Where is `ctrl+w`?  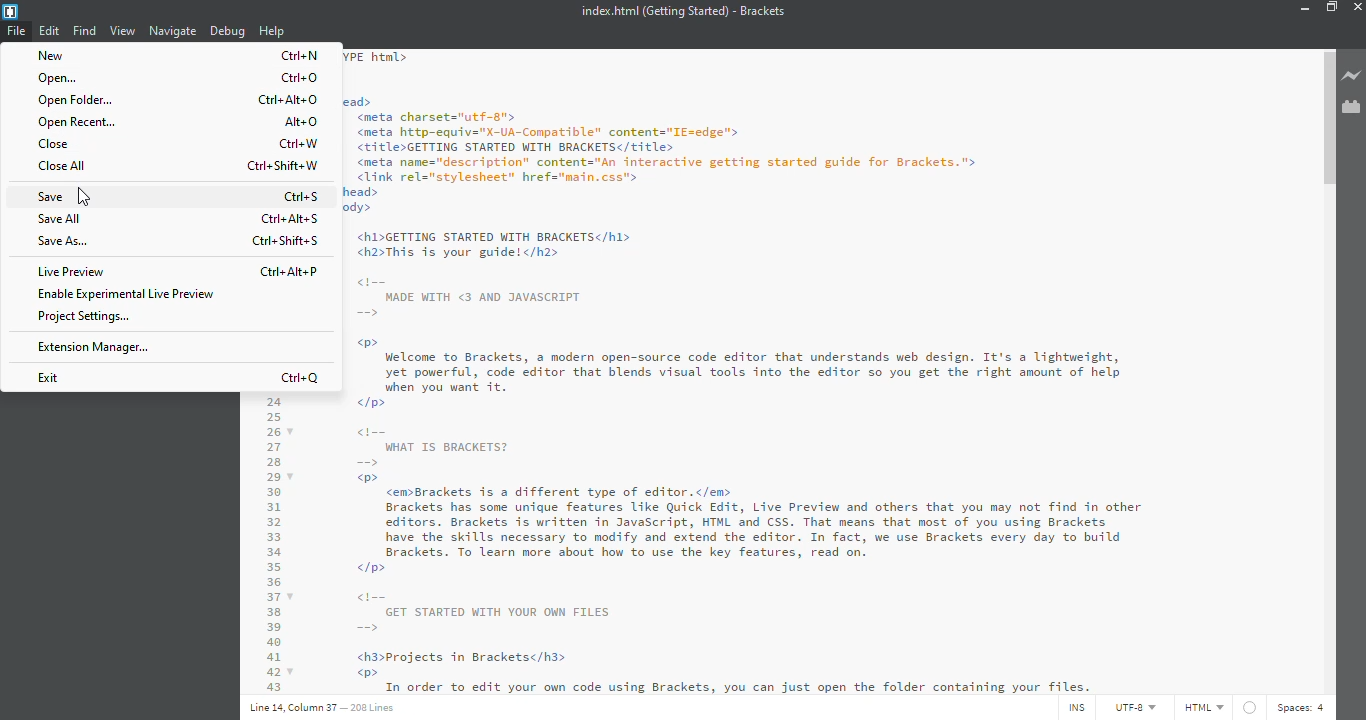
ctrl+w is located at coordinates (298, 144).